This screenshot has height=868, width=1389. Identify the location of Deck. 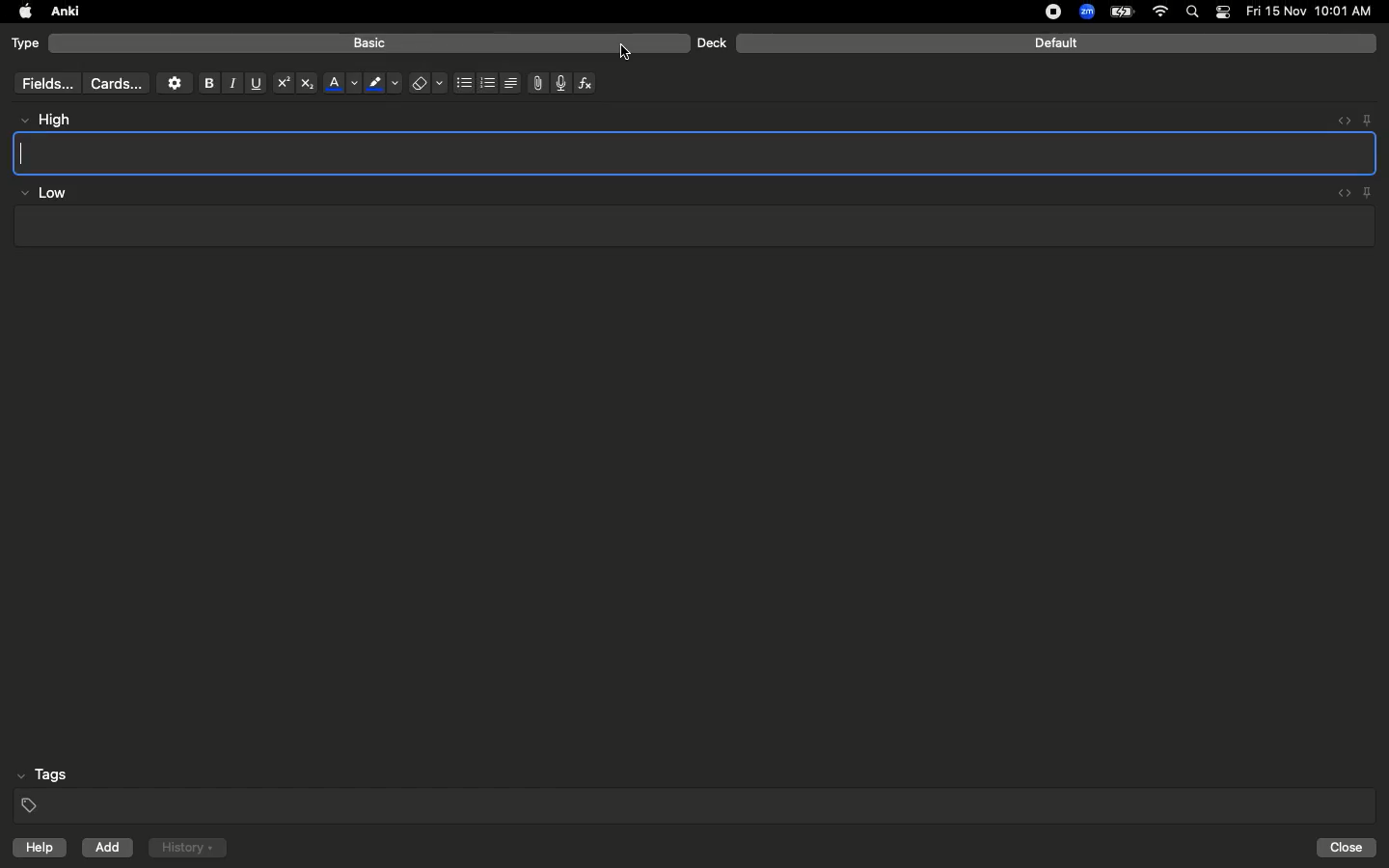
(711, 42).